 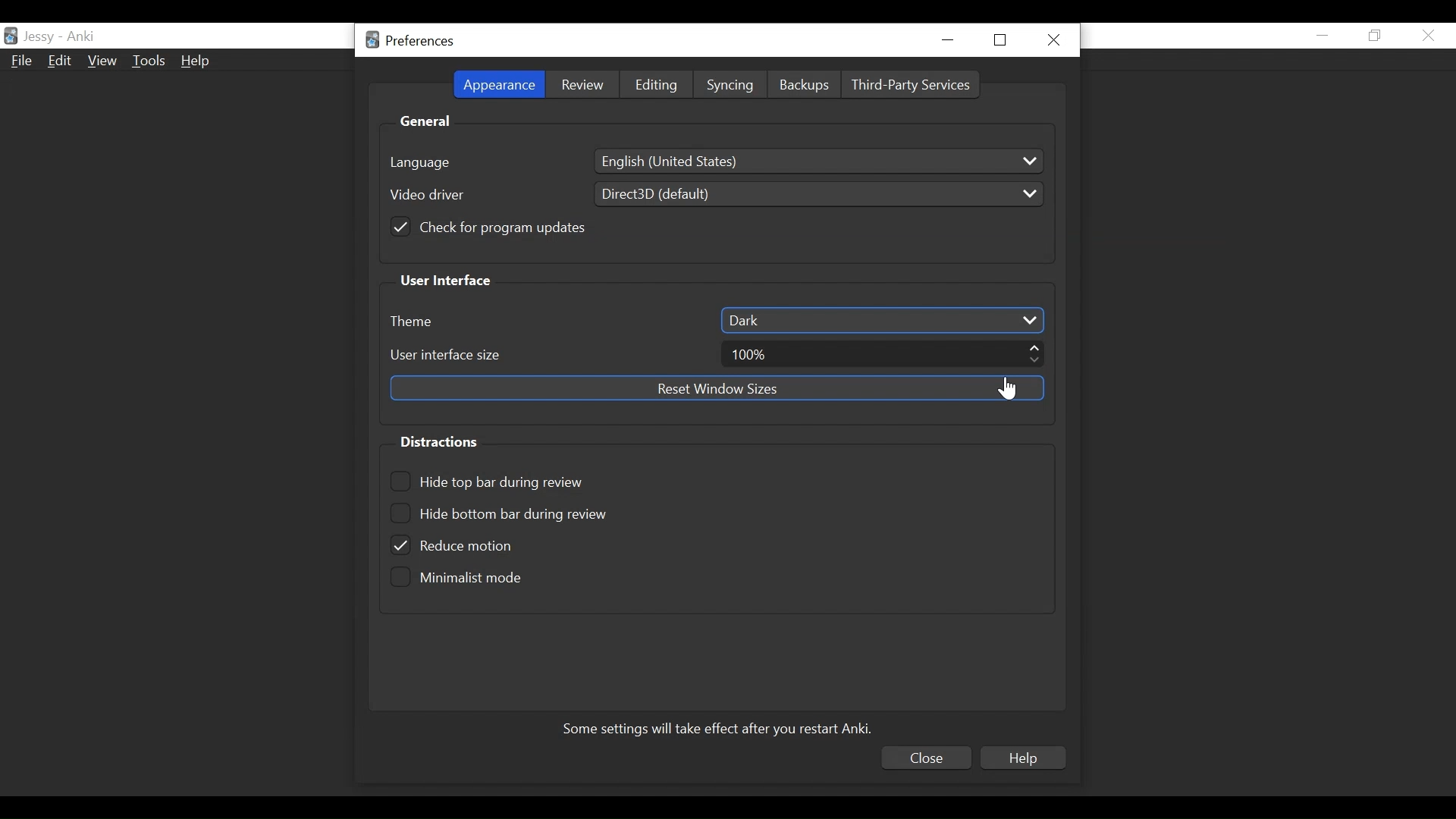 What do you see at coordinates (149, 60) in the screenshot?
I see `Tools` at bounding box center [149, 60].